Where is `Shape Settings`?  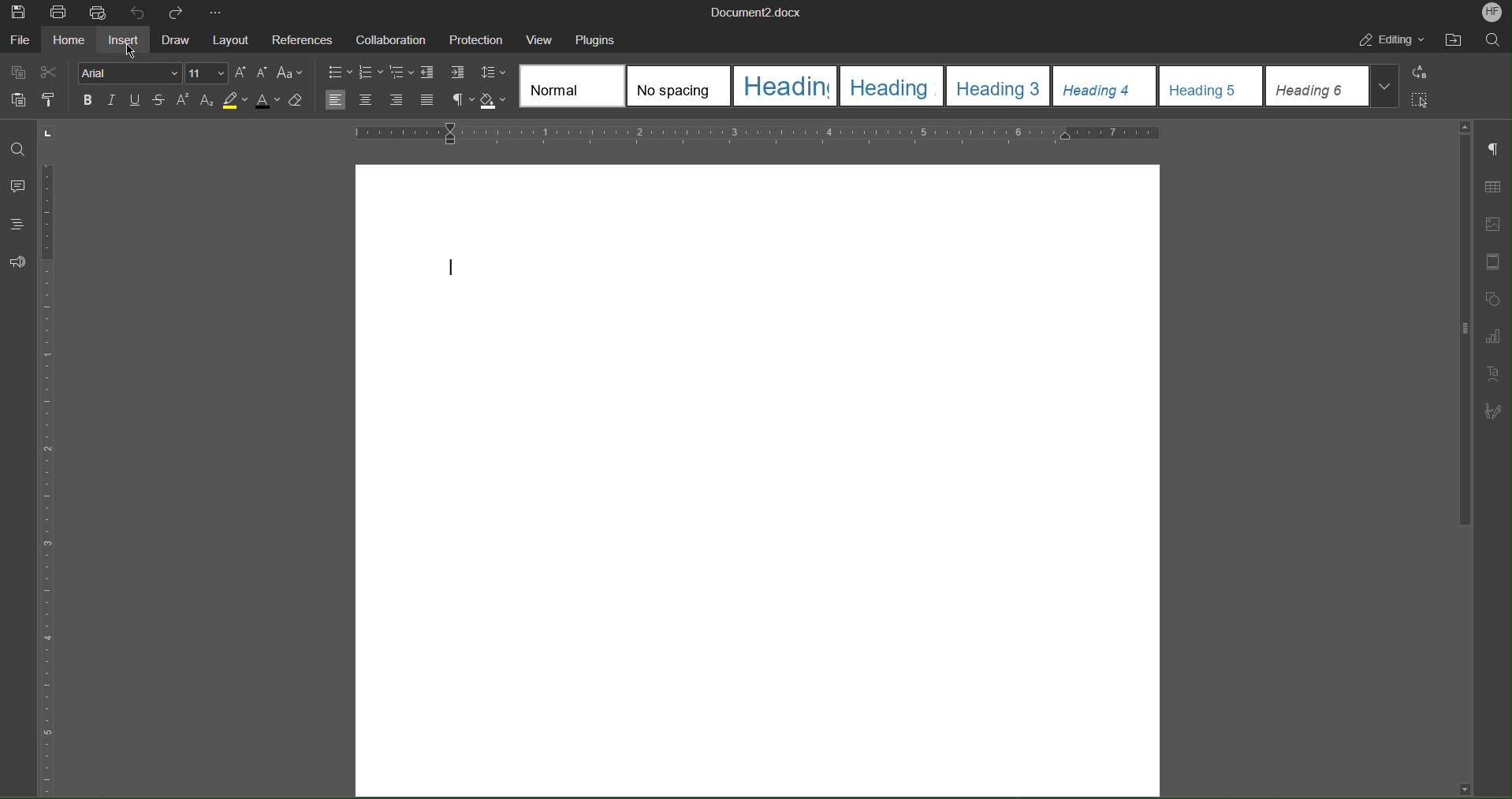
Shape Settings is located at coordinates (1490, 298).